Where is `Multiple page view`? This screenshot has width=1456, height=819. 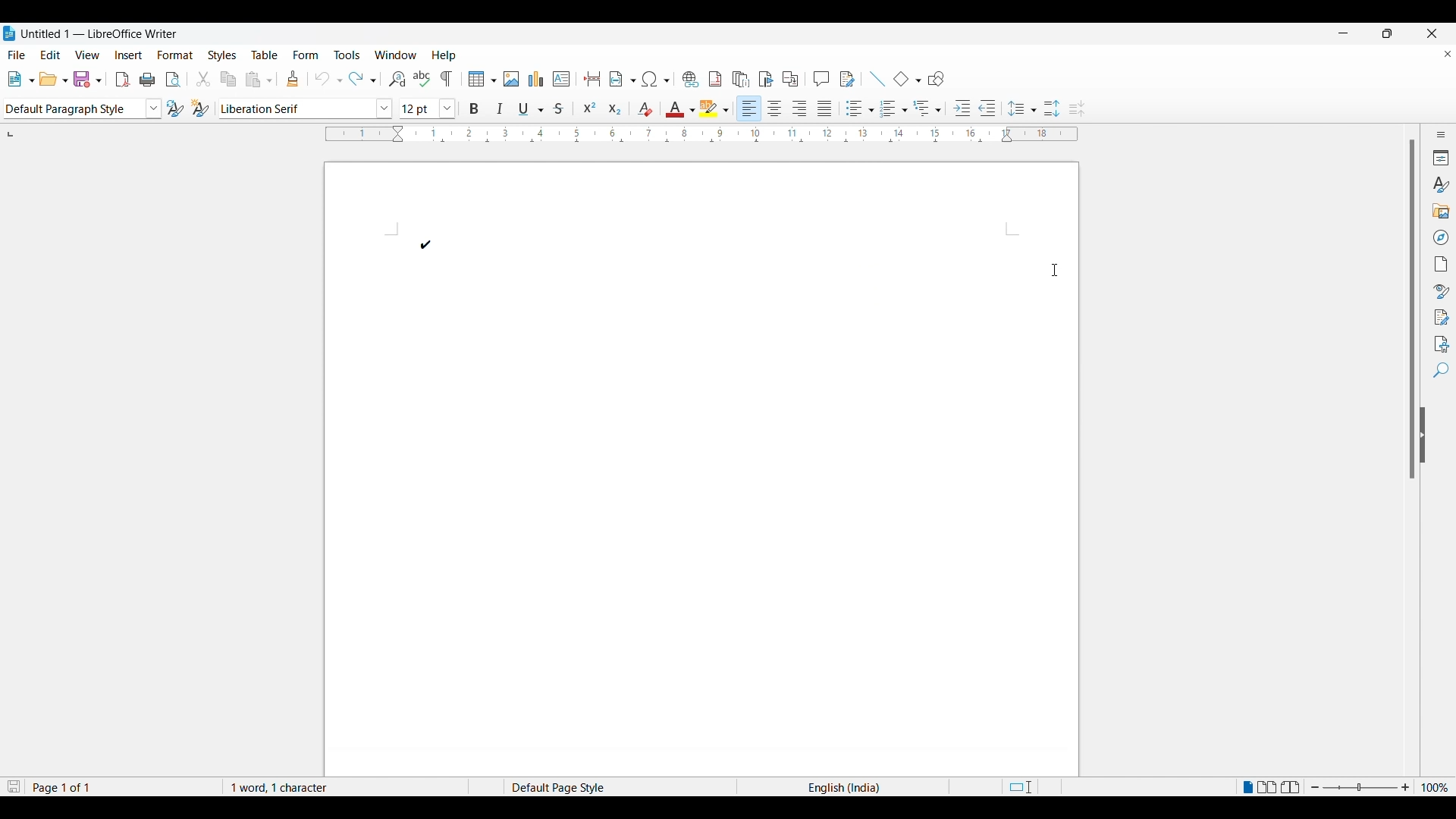
Multiple page view is located at coordinates (1269, 787).